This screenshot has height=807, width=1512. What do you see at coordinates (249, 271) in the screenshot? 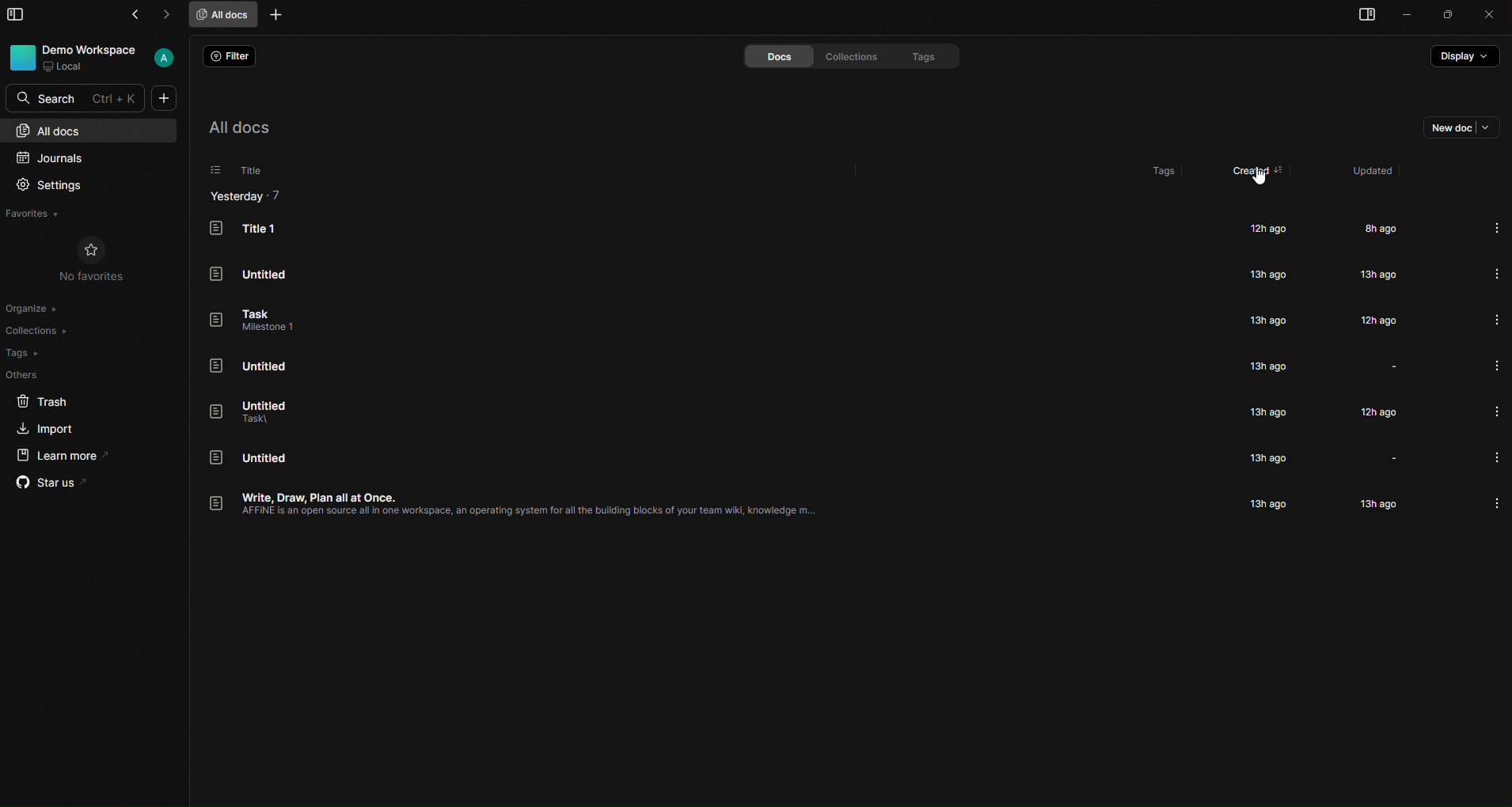
I see `Untitled` at bounding box center [249, 271].